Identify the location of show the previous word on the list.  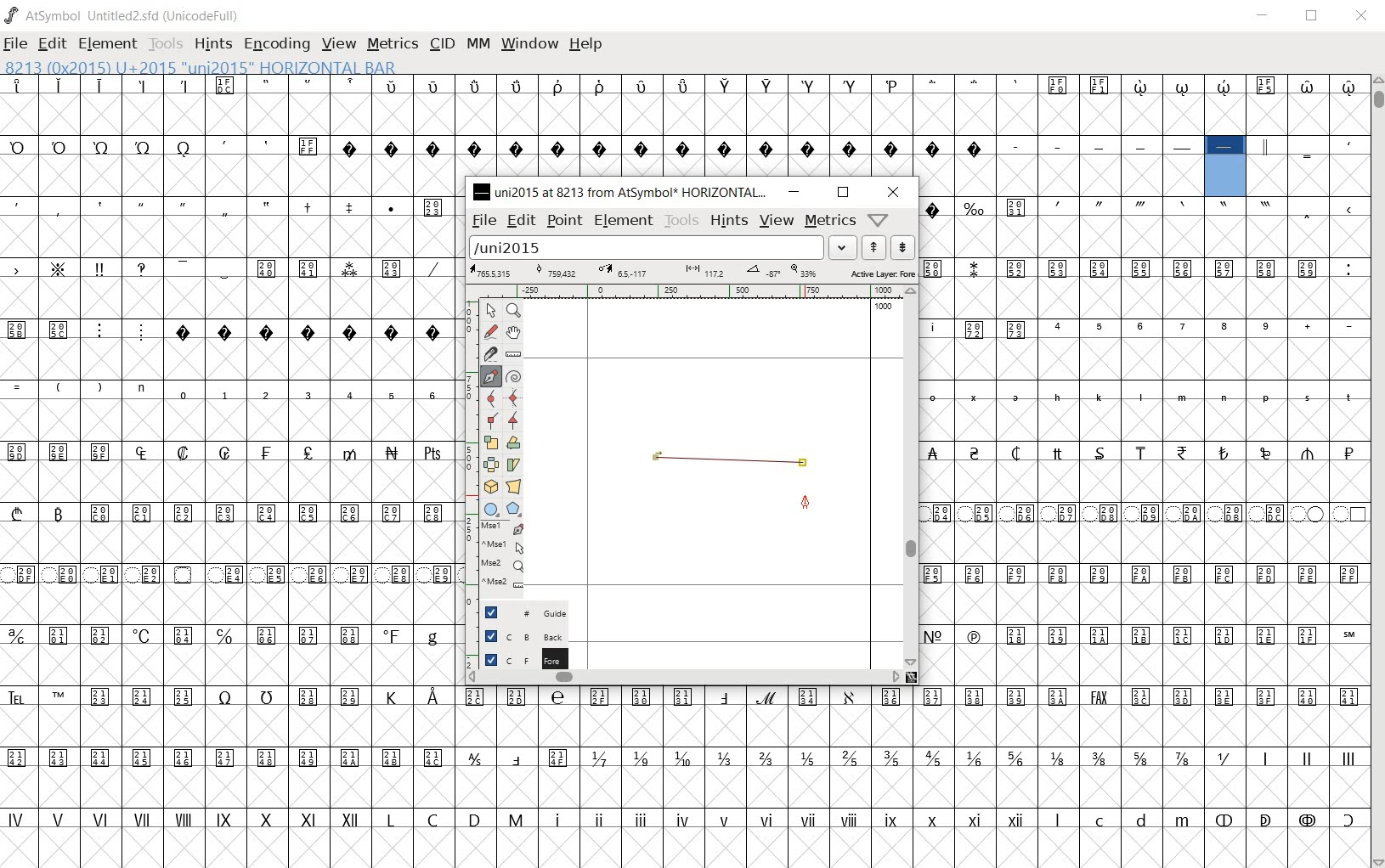
(902, 247).